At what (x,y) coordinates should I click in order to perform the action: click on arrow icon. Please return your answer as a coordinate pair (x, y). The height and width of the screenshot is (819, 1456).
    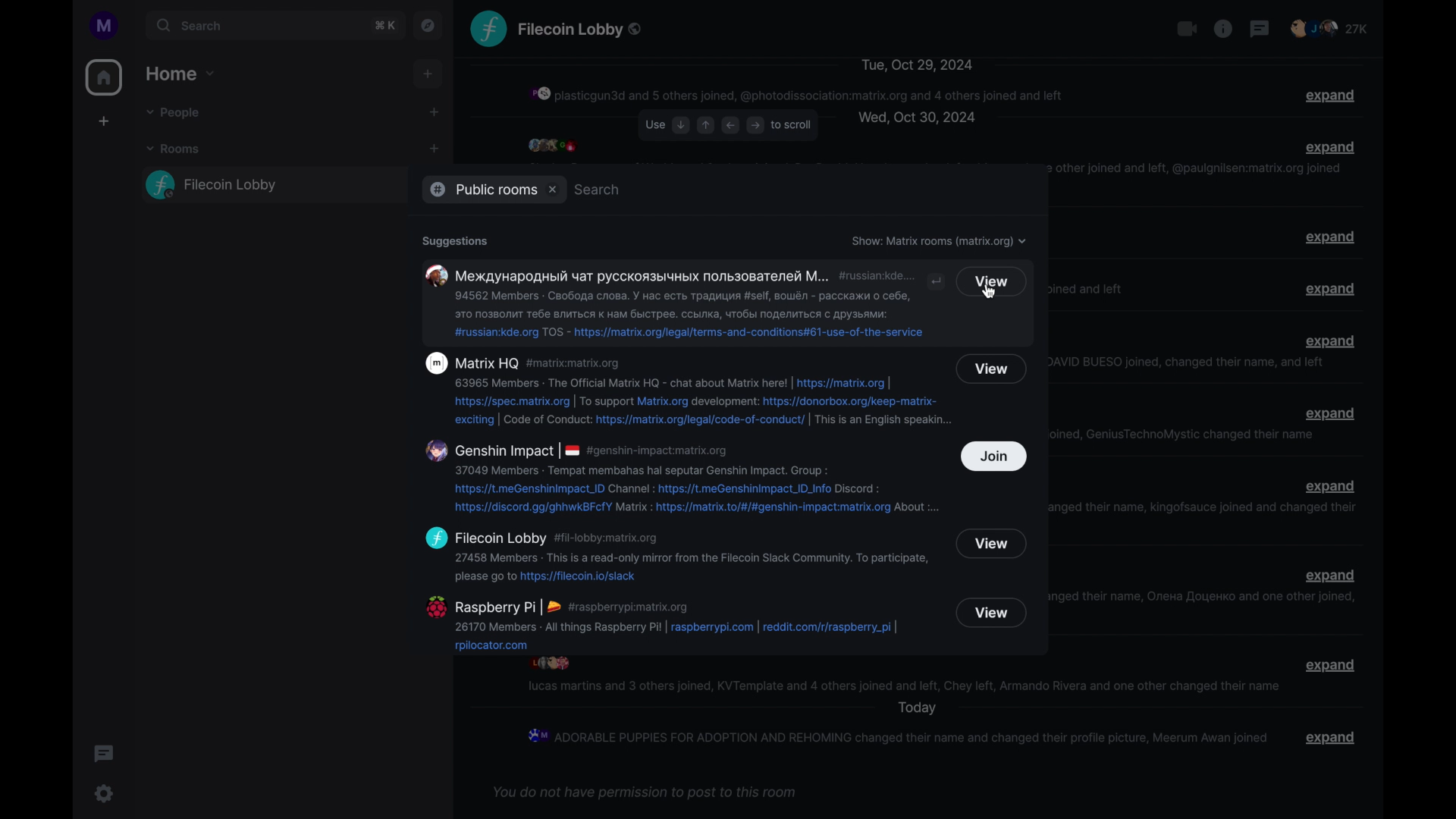
    Looking at the image, I should click on (938, 281).